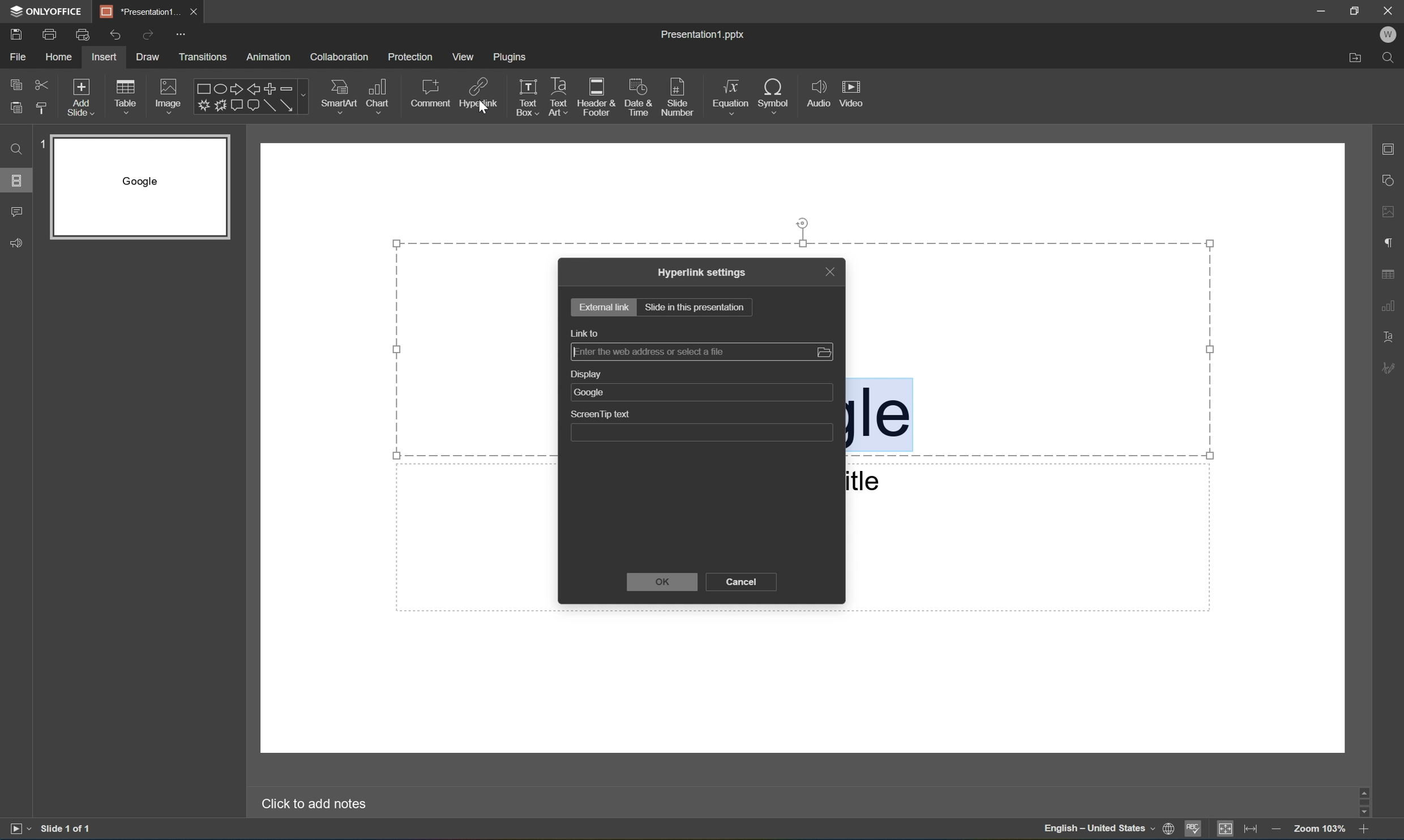 Image resolution: width=1404 pixels, height=840 pixels. Describe the element at coordinates (243, 97) in the screenshot. I see `Shapes` at that location.